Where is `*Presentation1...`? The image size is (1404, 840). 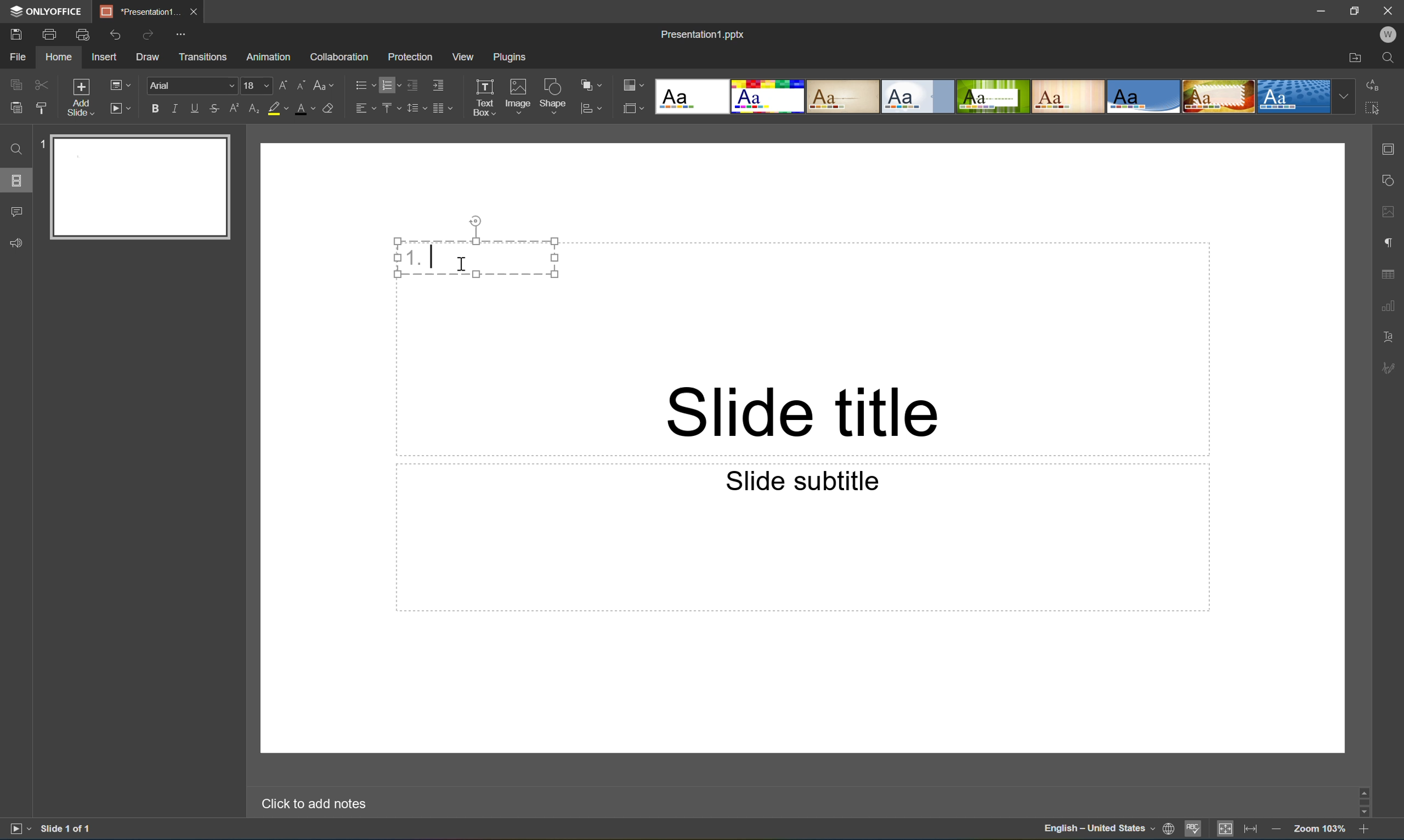 *Presentation1... is located at coordinates (142, 12).